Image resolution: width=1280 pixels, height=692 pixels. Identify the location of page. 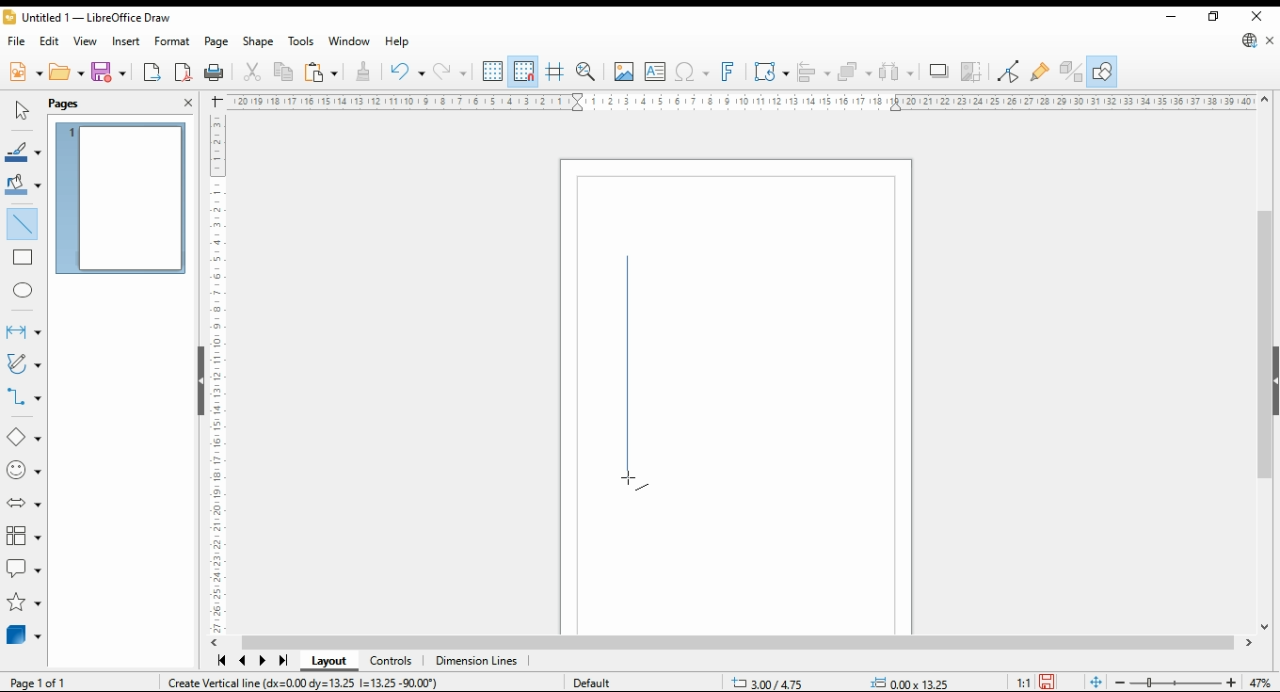
(216, 42).